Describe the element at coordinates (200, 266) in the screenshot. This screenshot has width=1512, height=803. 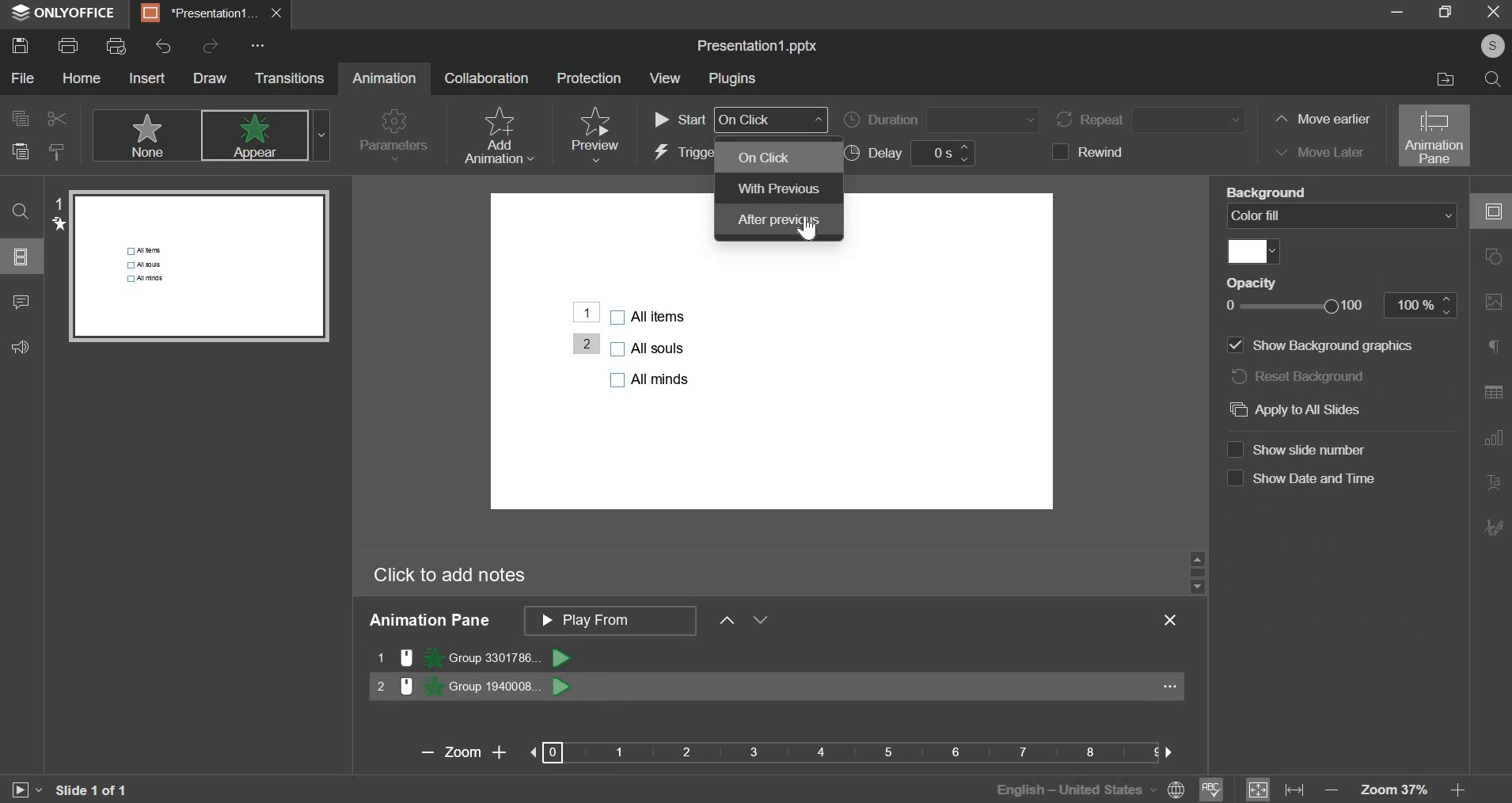
I see `slide preview` at that location.